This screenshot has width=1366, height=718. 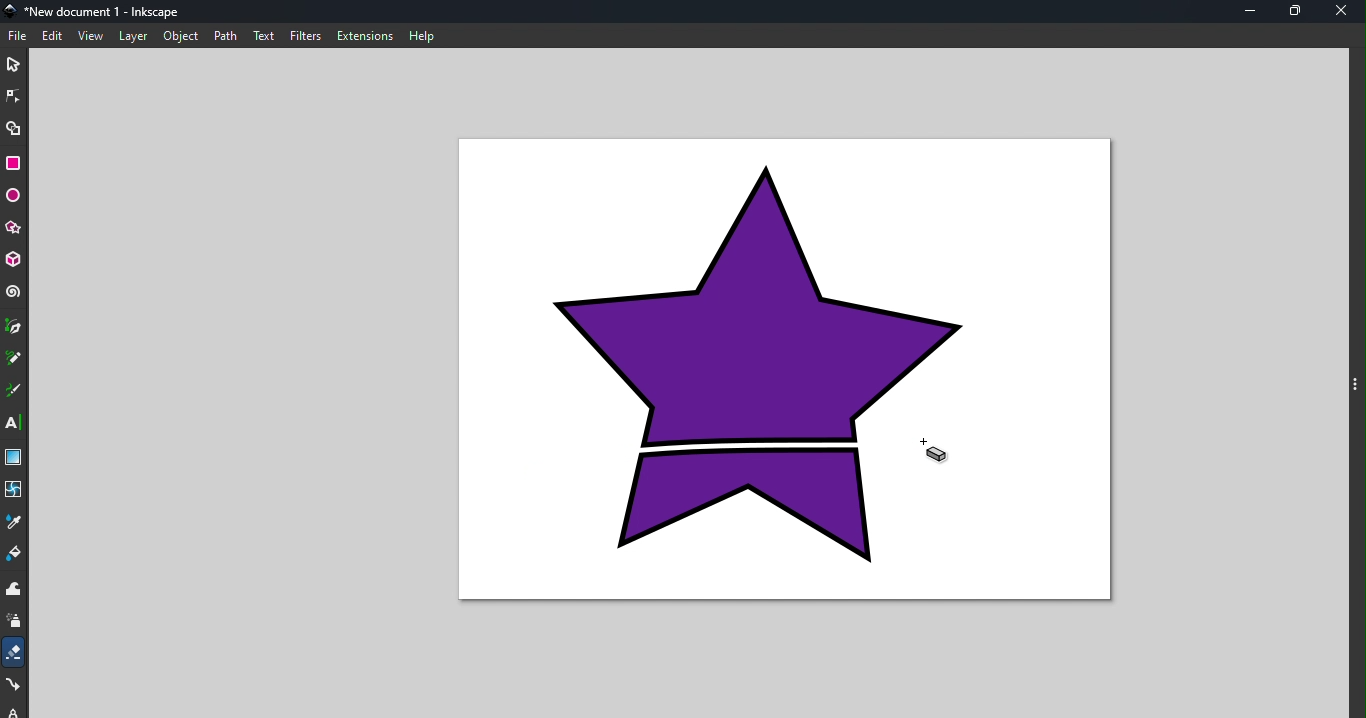 What do you see at coordinates (1299, 12) in the screenshot?
I see `maximize` at bounding box center [1299, 12].